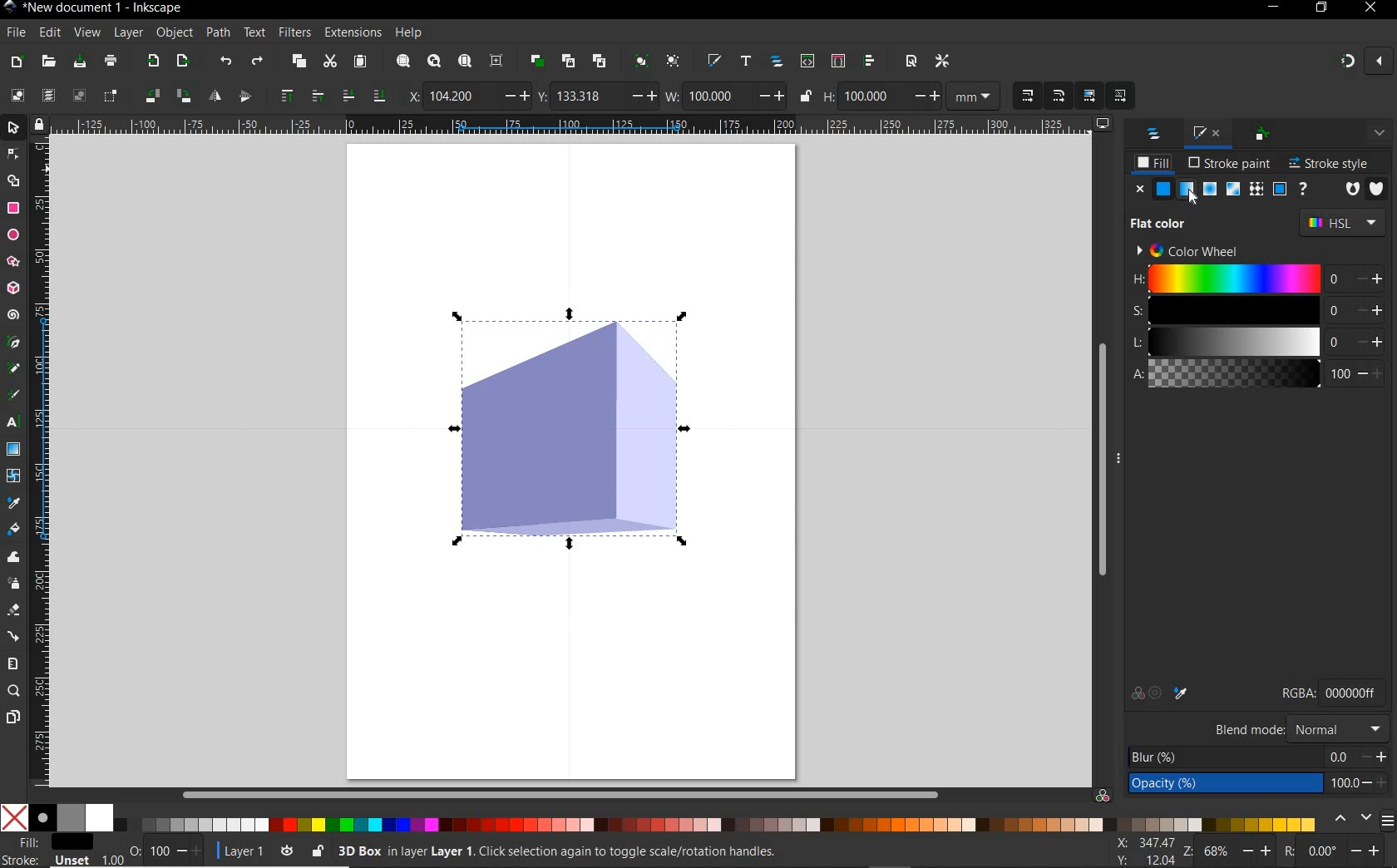 This screenshot has width=1397, height=868. I want to click on OPEN PREFERENCES, so click(942, 62).